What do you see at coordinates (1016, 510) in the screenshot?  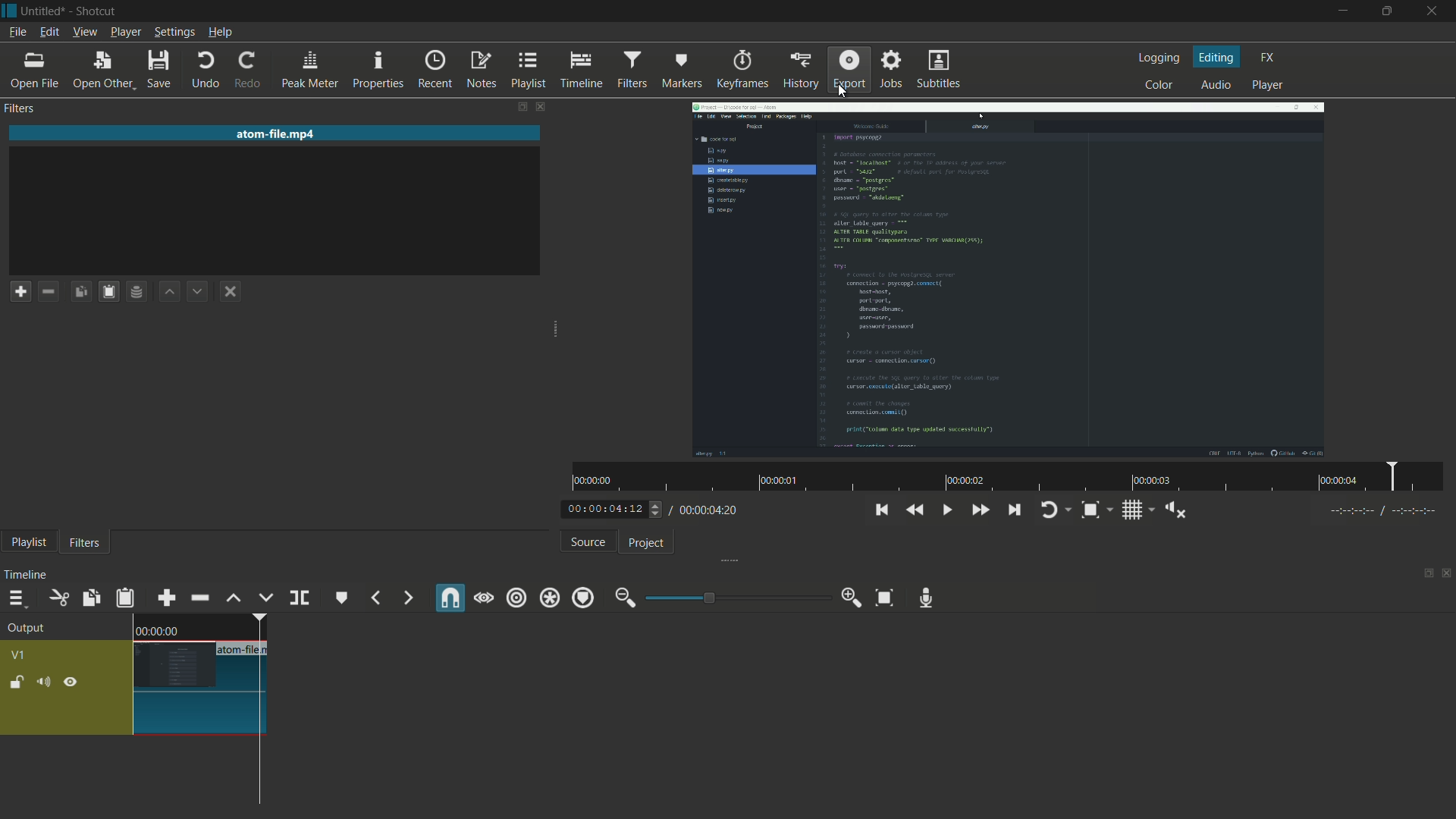 I see `skip to the next point` at bounding box center [1016, 510].